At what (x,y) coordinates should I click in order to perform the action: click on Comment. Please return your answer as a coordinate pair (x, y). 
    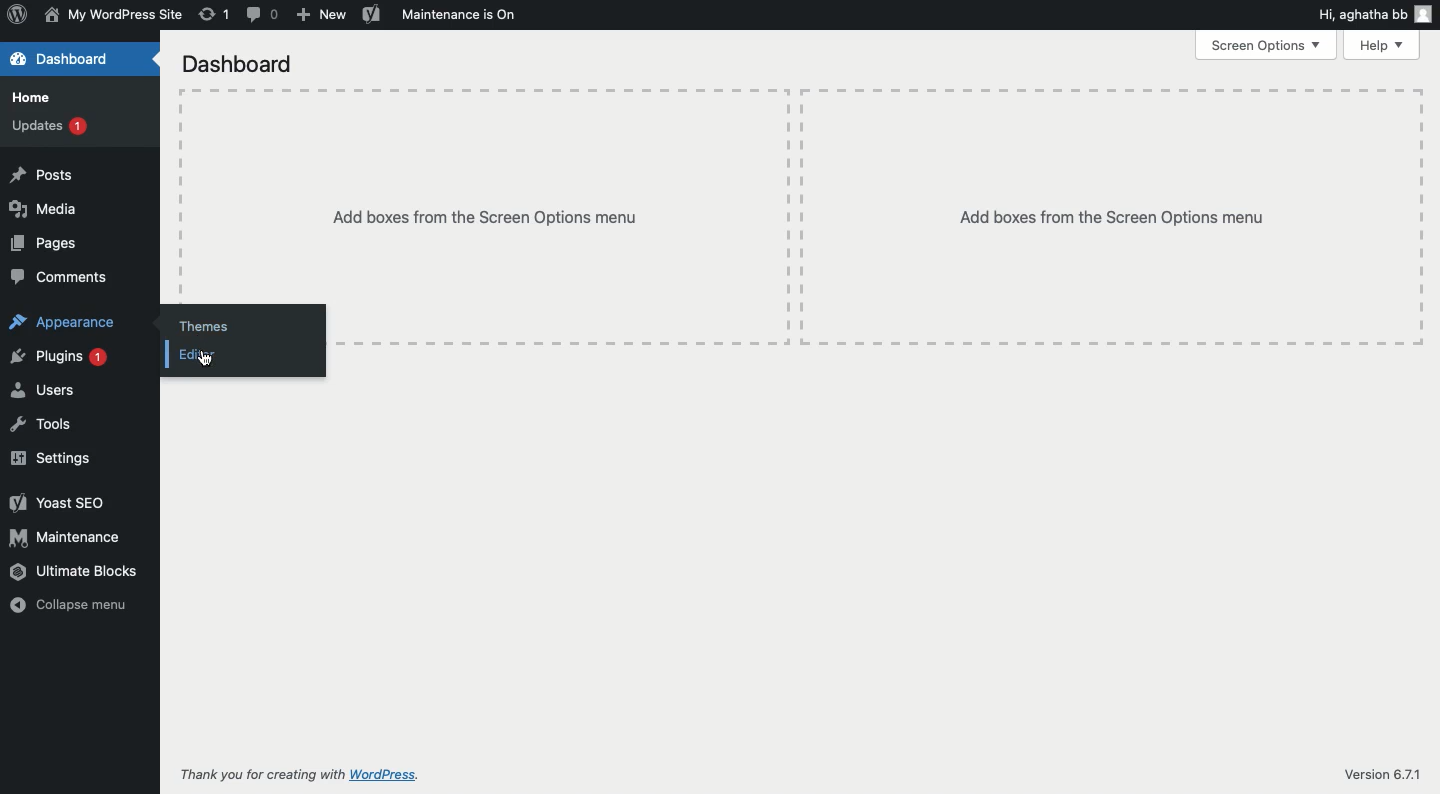
    Looking at the image, I should click on (260, 16).